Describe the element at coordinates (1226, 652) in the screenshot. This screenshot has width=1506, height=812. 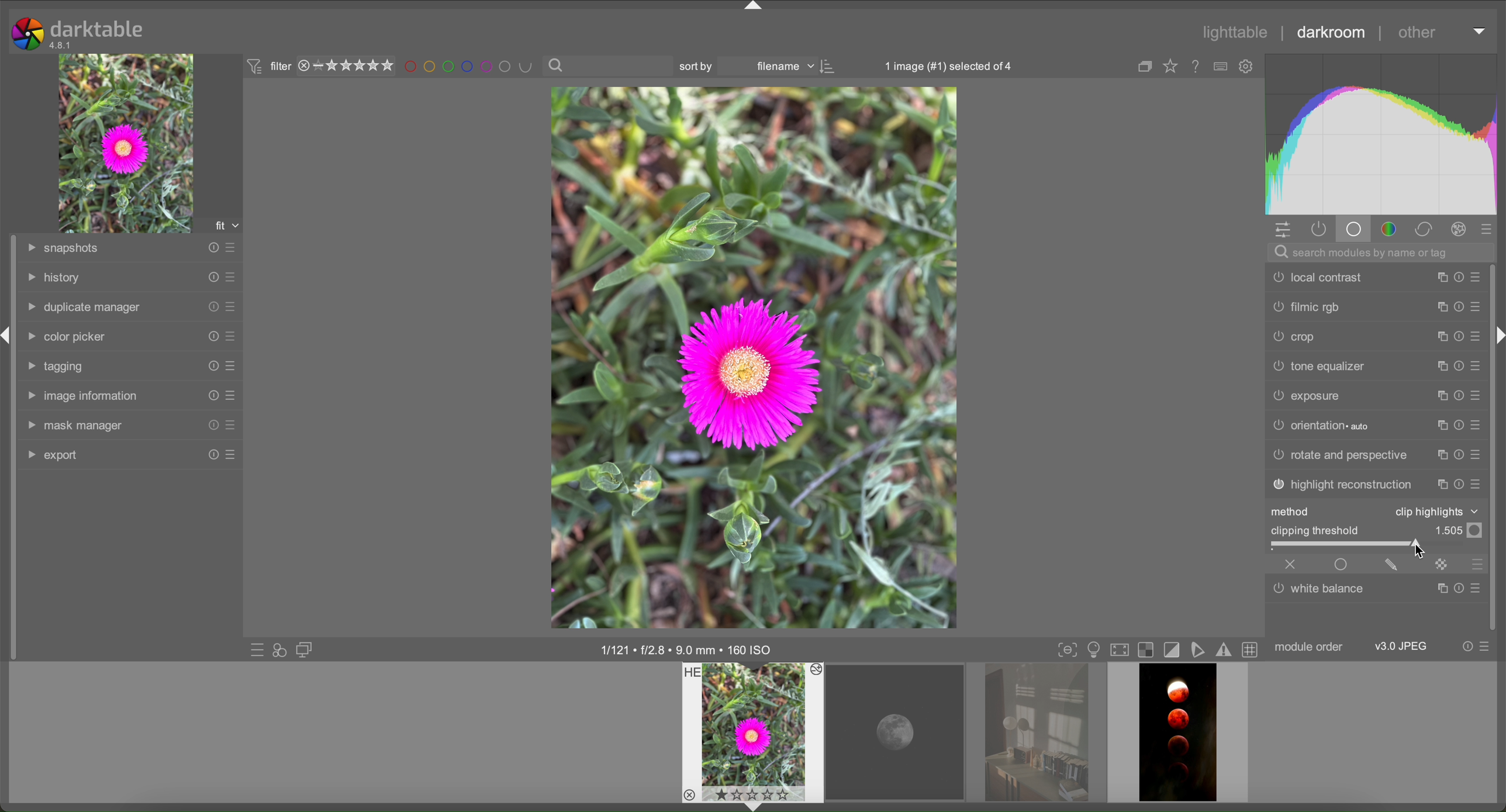
I see `gamut checking` at that location.